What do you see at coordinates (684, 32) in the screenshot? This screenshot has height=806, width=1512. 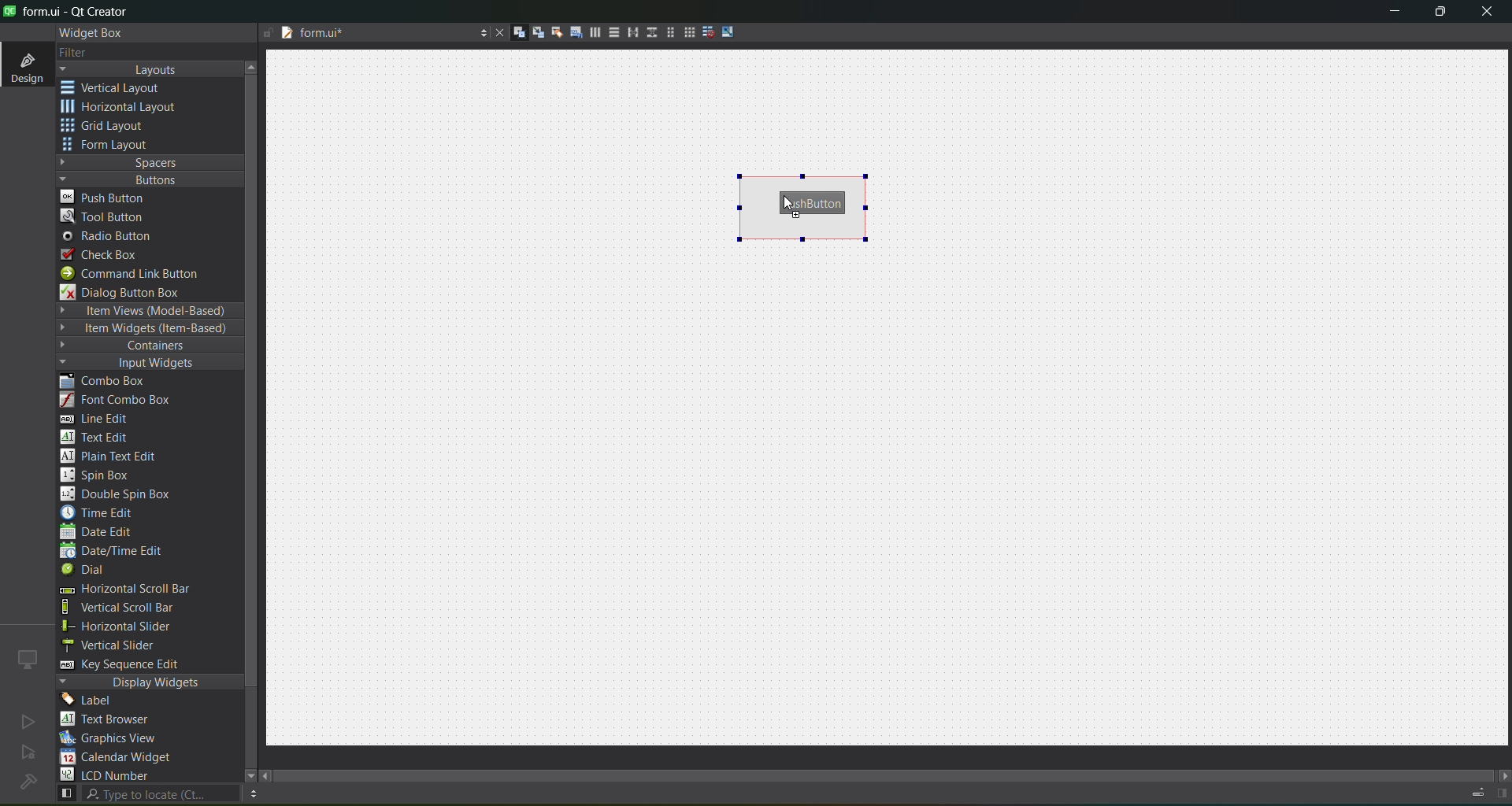 I see `layout in a grid` at bounding box center [684, 32].